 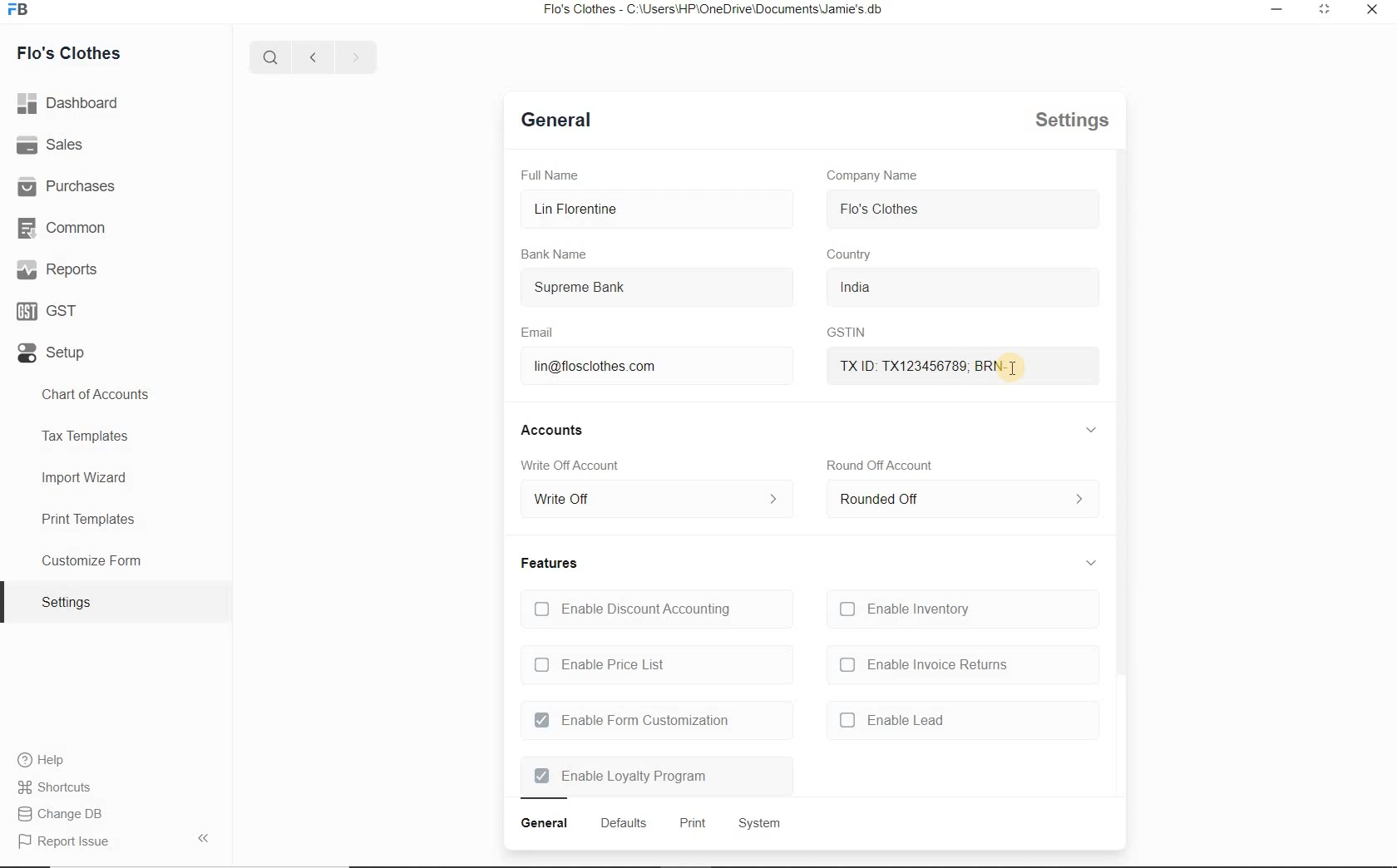 I want to click on Customize Form, so click(x=93, y=559).